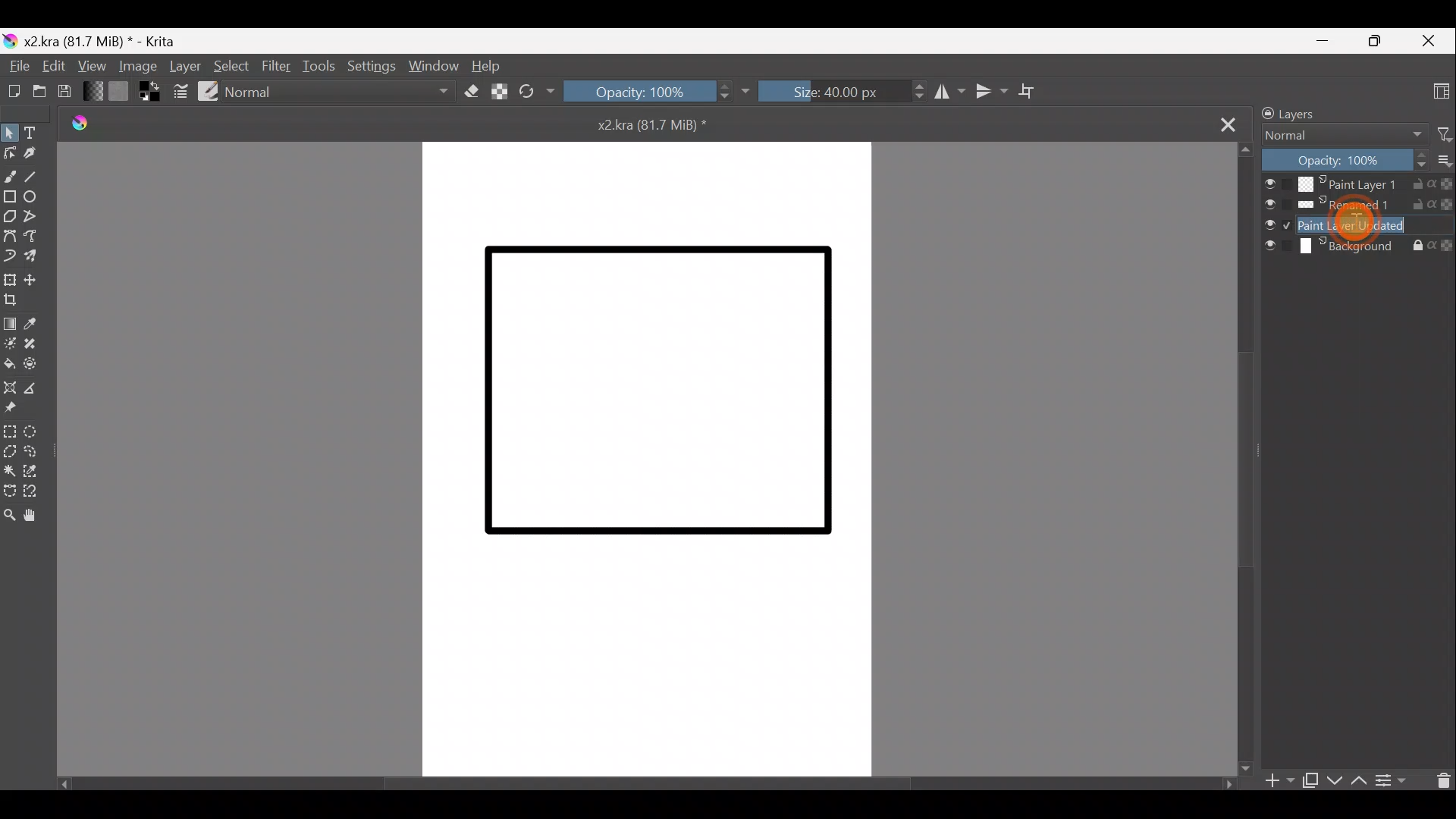 The height and width of the screenshot is (819, 1456). Describe the element at coordinates (19, 410) in the screenshot. I see `Reference images tool` at that location.